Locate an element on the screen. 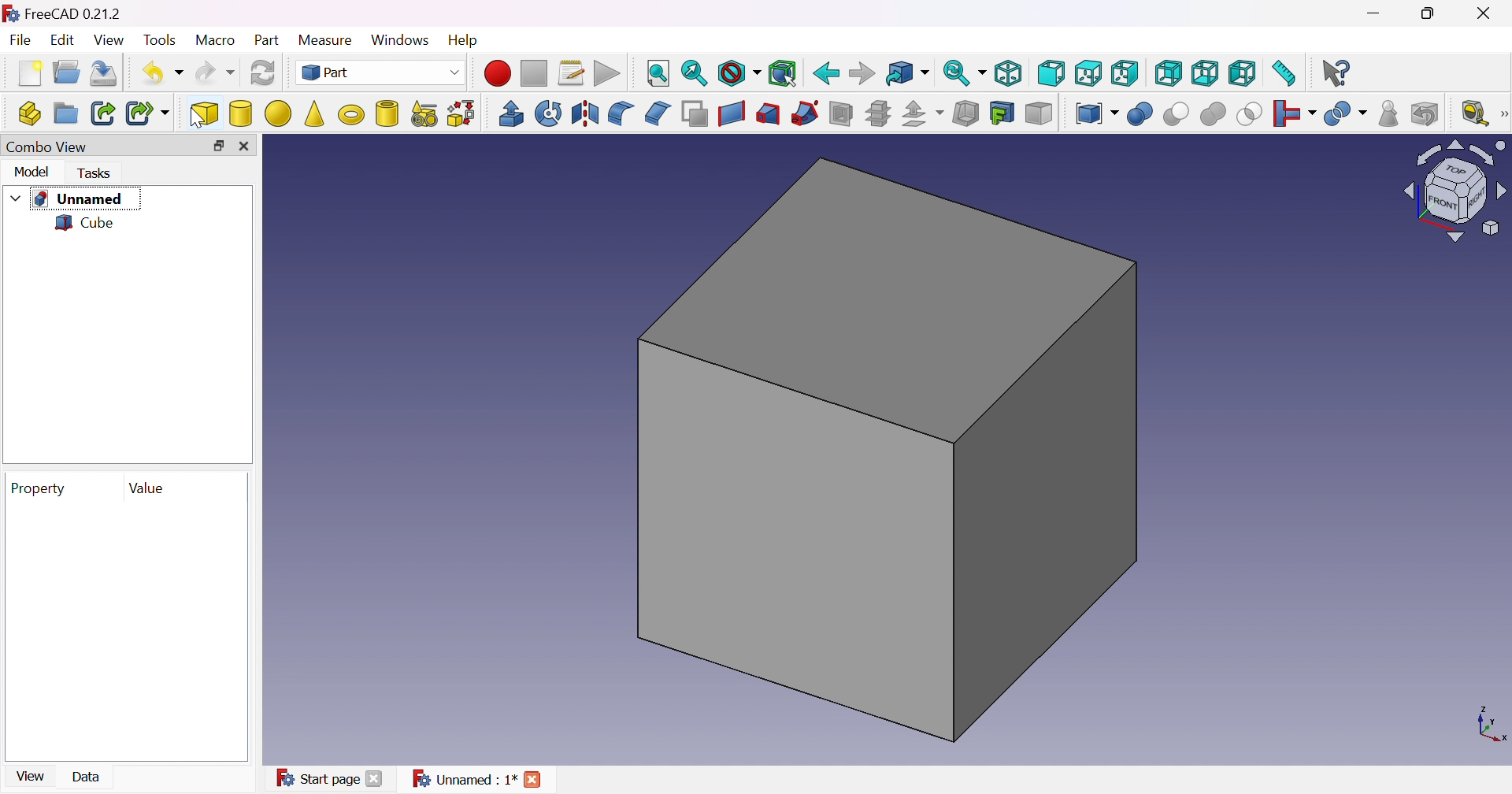 This screenshot has width=1512, height=794. Macro recording is located at coordinates (495, 74).